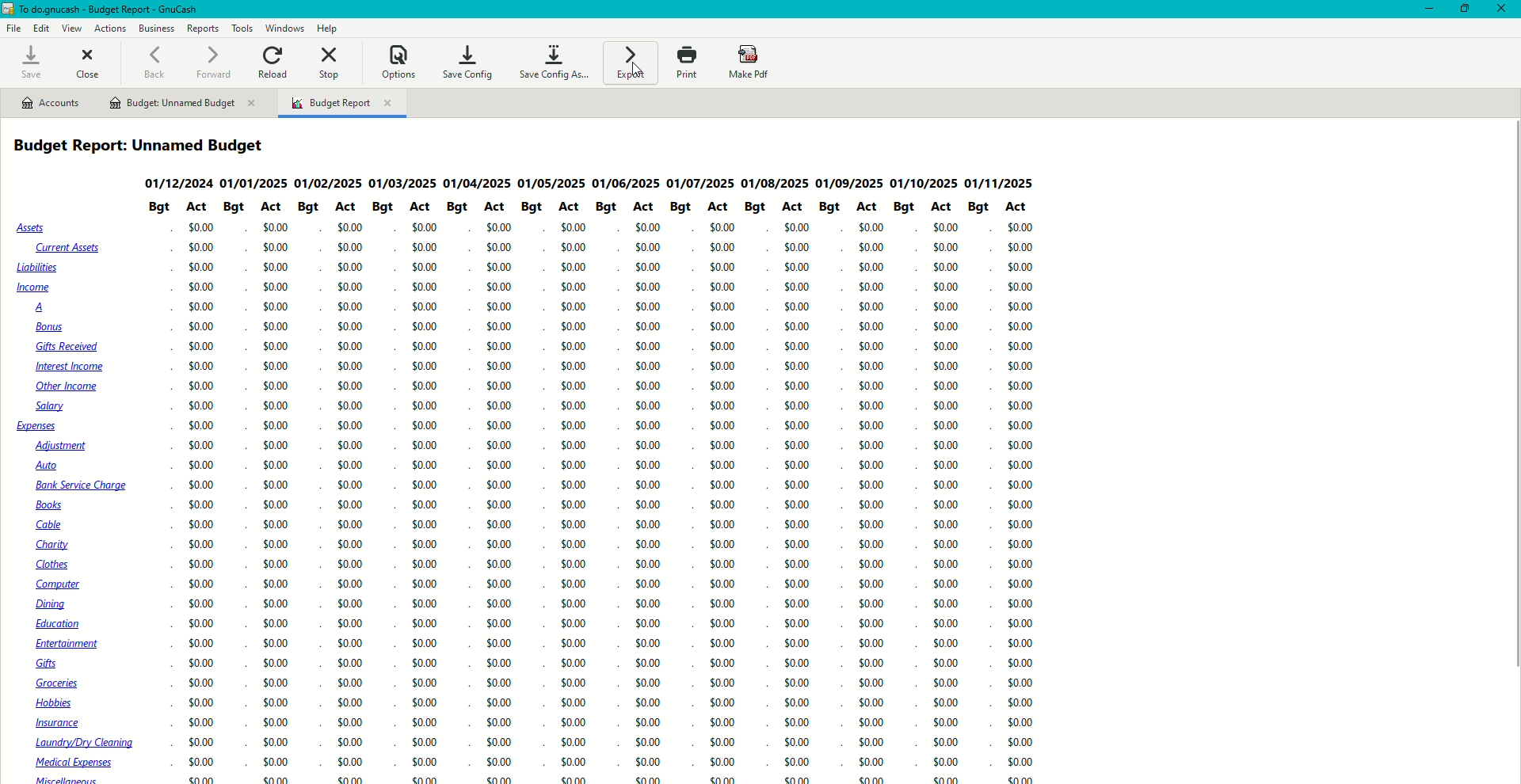 The height and width of the screenshot is (784, 1521). What do you see at coordinates (649, 229) in the screenshot?
I see `$0.00` at bounding box center [649, 229].